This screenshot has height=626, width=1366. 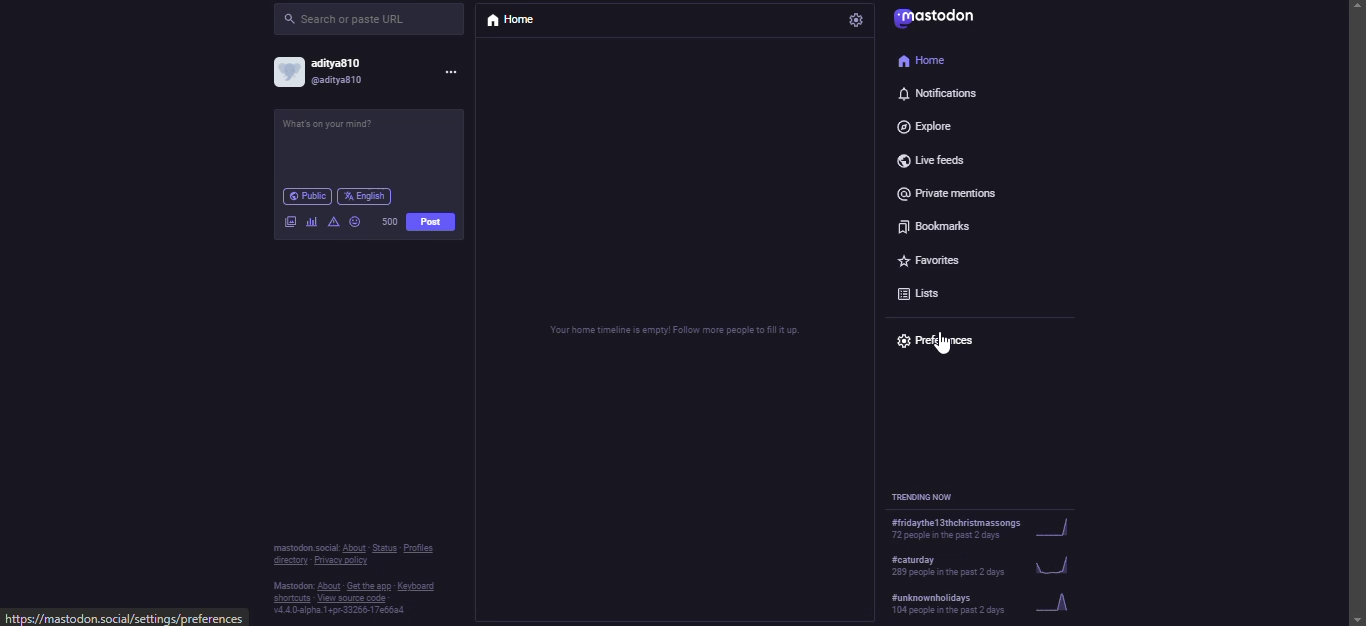 I want to click on trending, so click(x=991, y=602).